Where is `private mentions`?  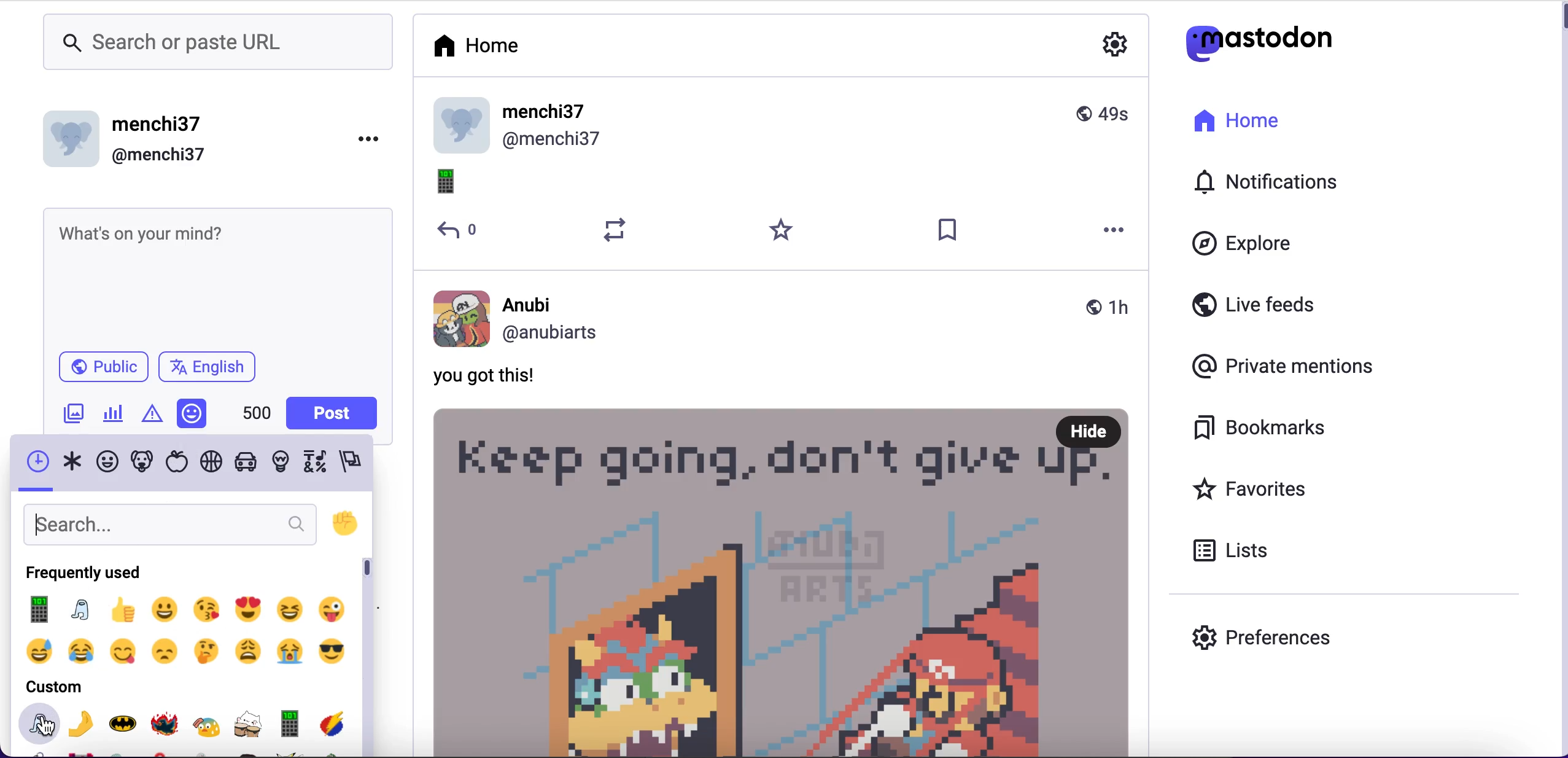 private mentions is located at coordinates (1282, 367).